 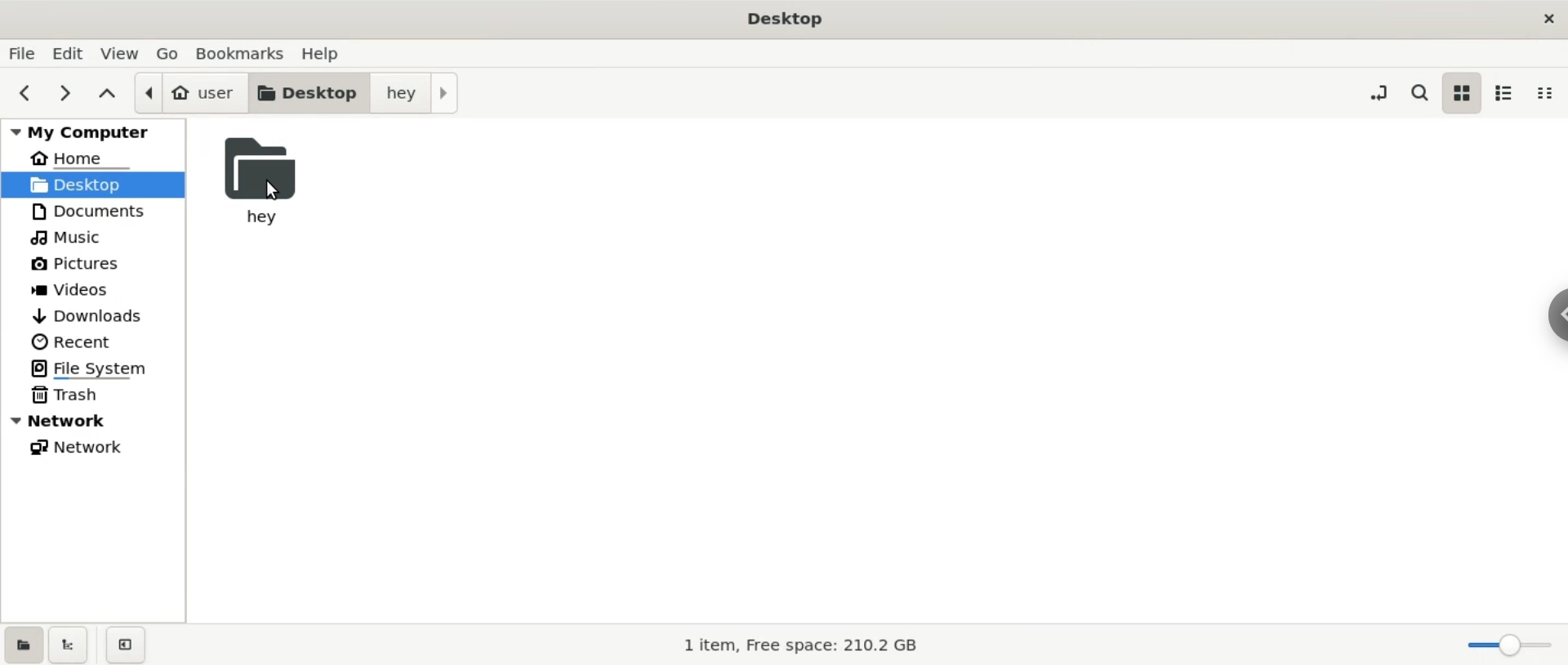 What do you see at coordinates (94, 395) in the screenshot?
I see `trash` at bounding box center [94, 395].